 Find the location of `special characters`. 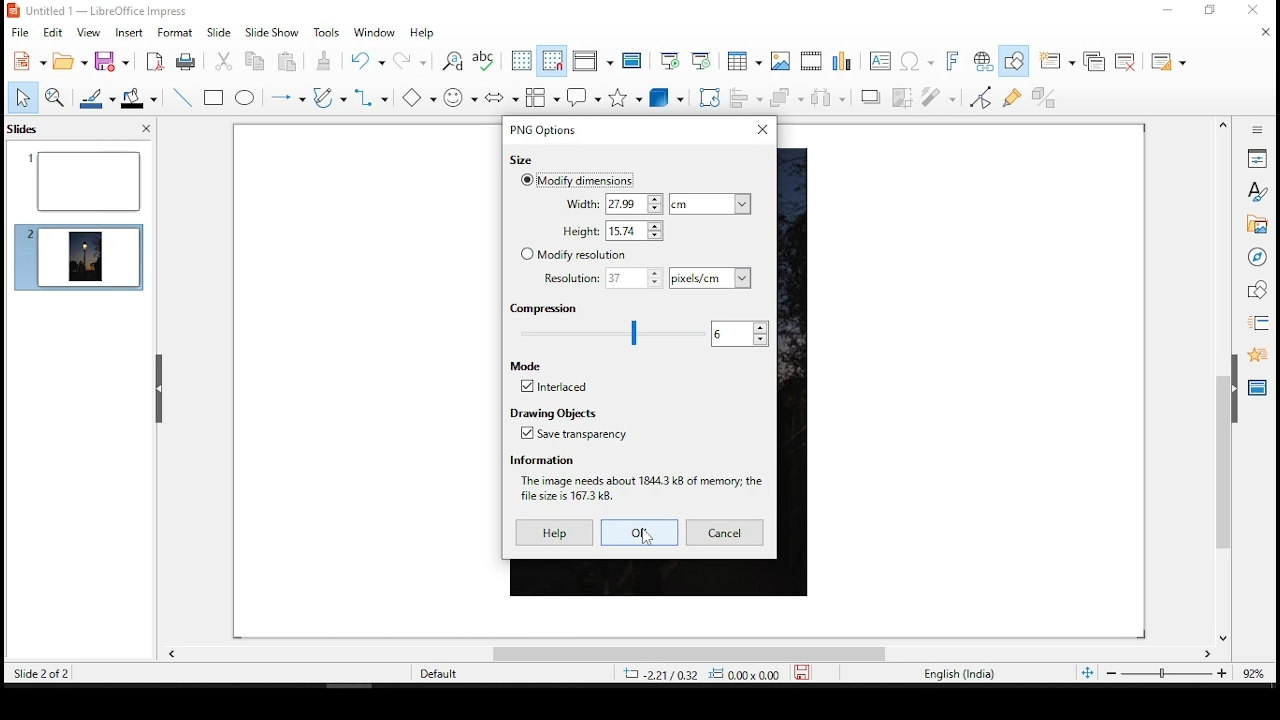

special characters is located at coordinates (916, 61).